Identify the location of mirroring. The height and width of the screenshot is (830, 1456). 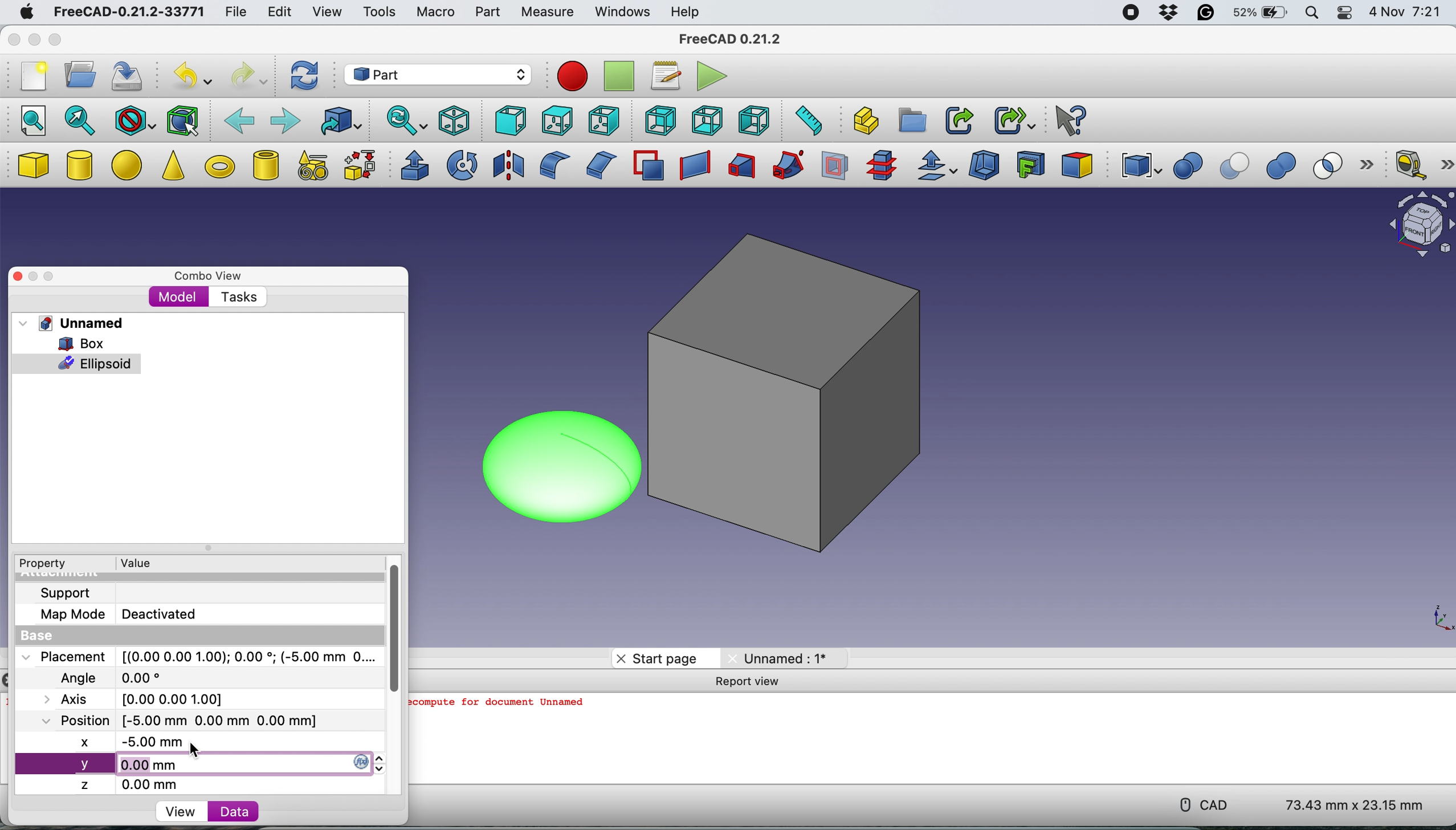
(509, 164).